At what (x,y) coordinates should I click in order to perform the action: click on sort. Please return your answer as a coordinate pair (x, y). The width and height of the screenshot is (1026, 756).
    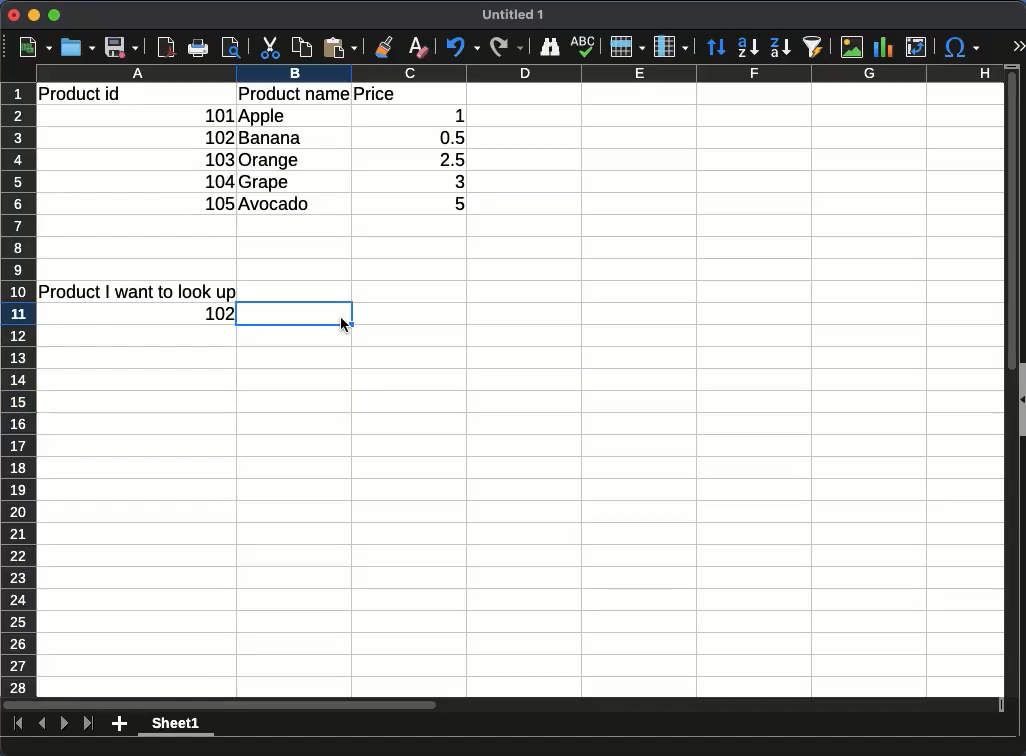
    Looking at the image, I should click on (813, 47).